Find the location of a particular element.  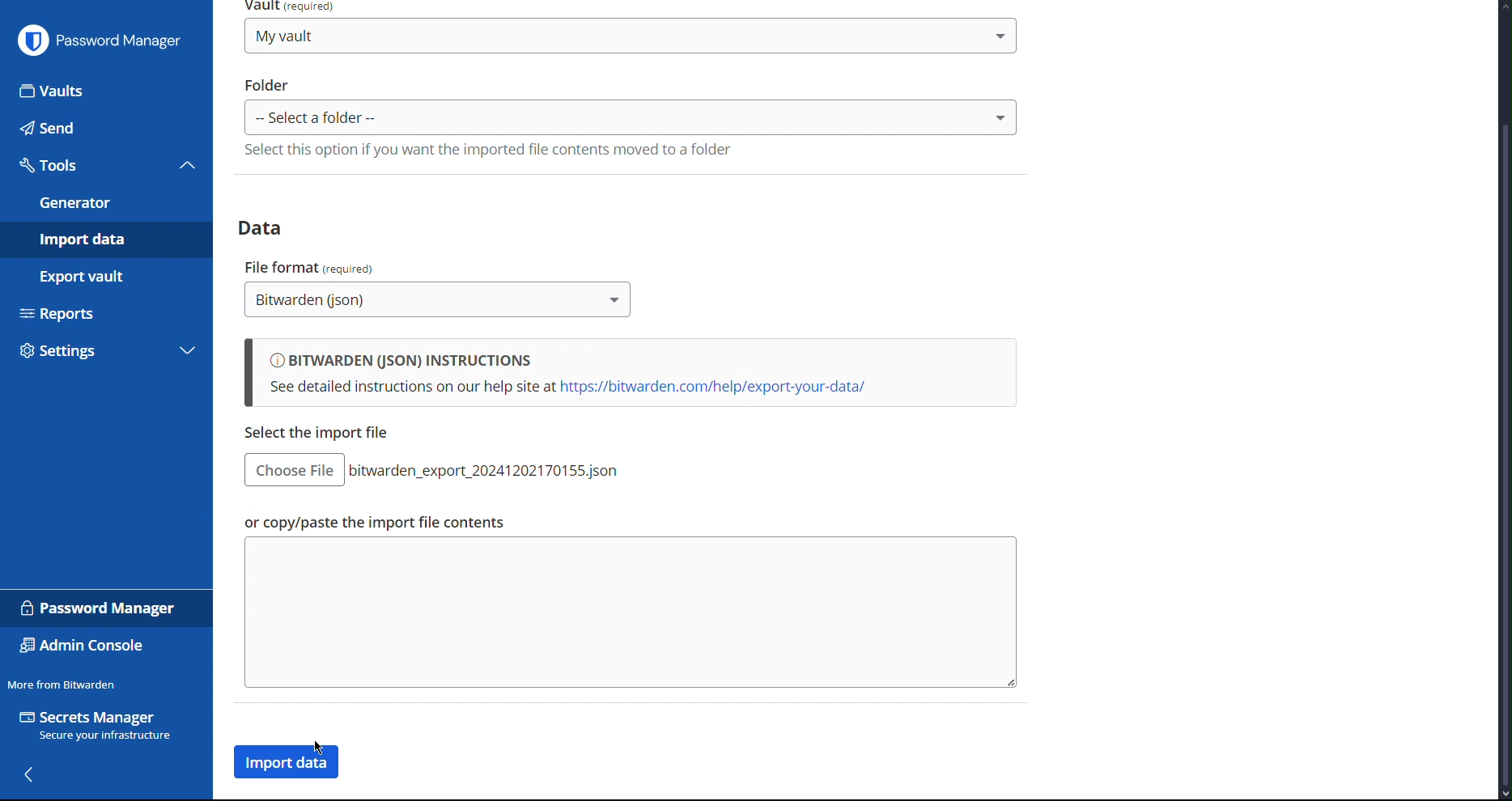

Bitwarden (json) is located at coordinates (439, 301).